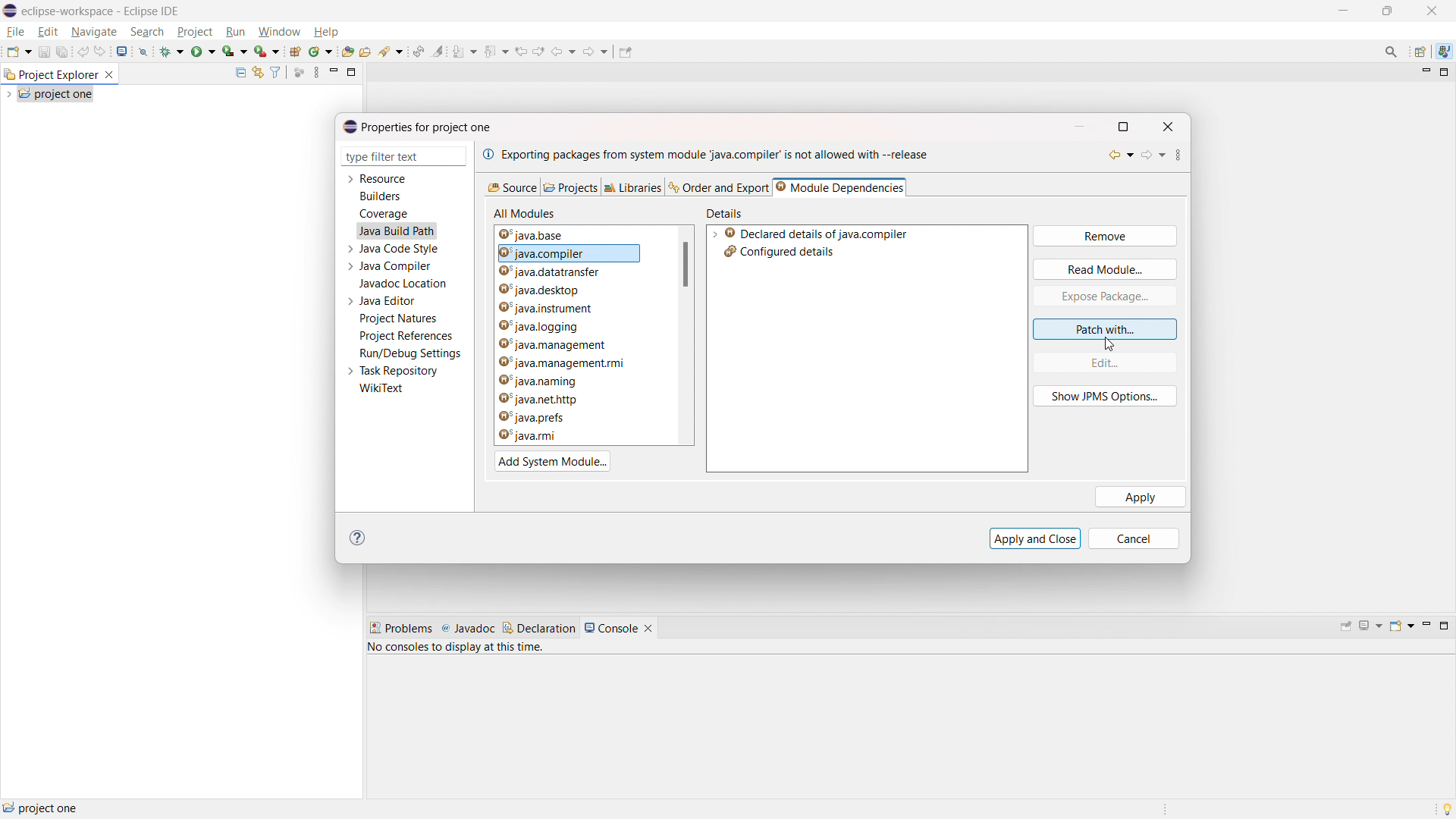 This screenshot has width=1456, height=819. I want to click on use last tool, so click(266, 52).